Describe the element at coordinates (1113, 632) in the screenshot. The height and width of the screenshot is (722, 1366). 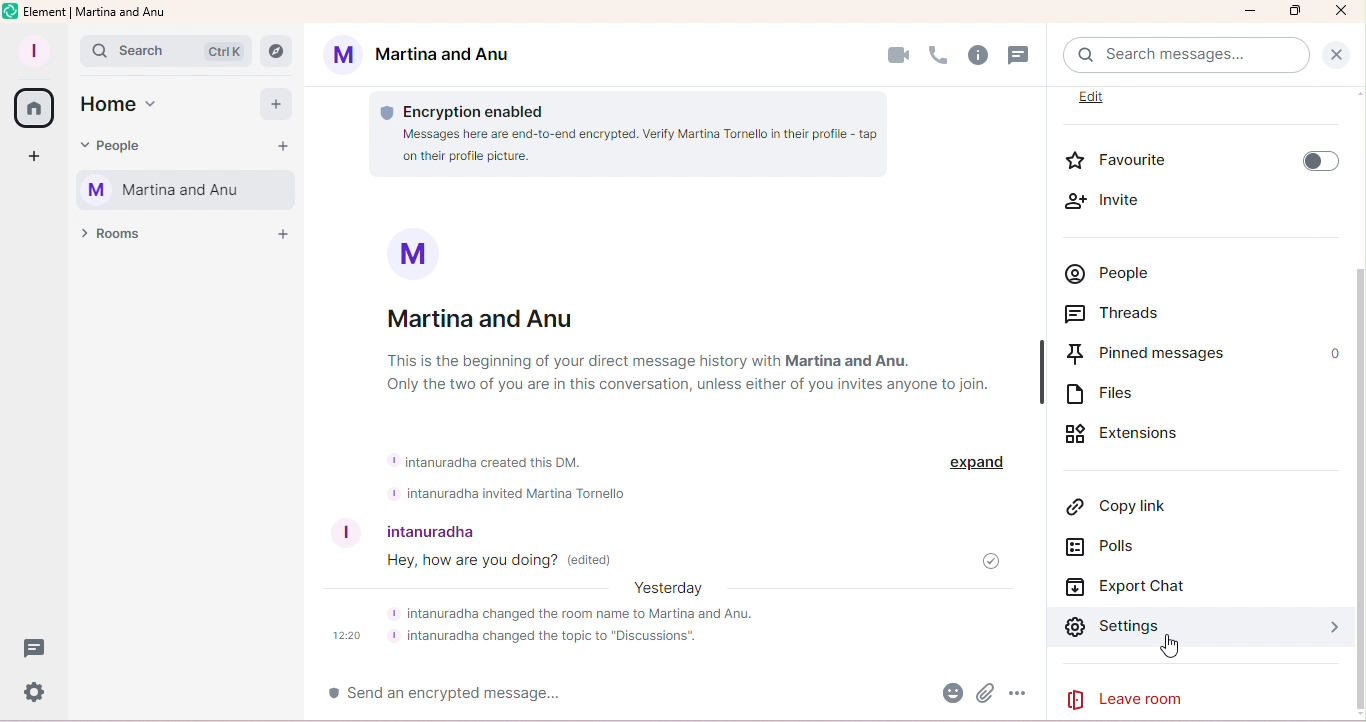
I see `Settings` at that location.